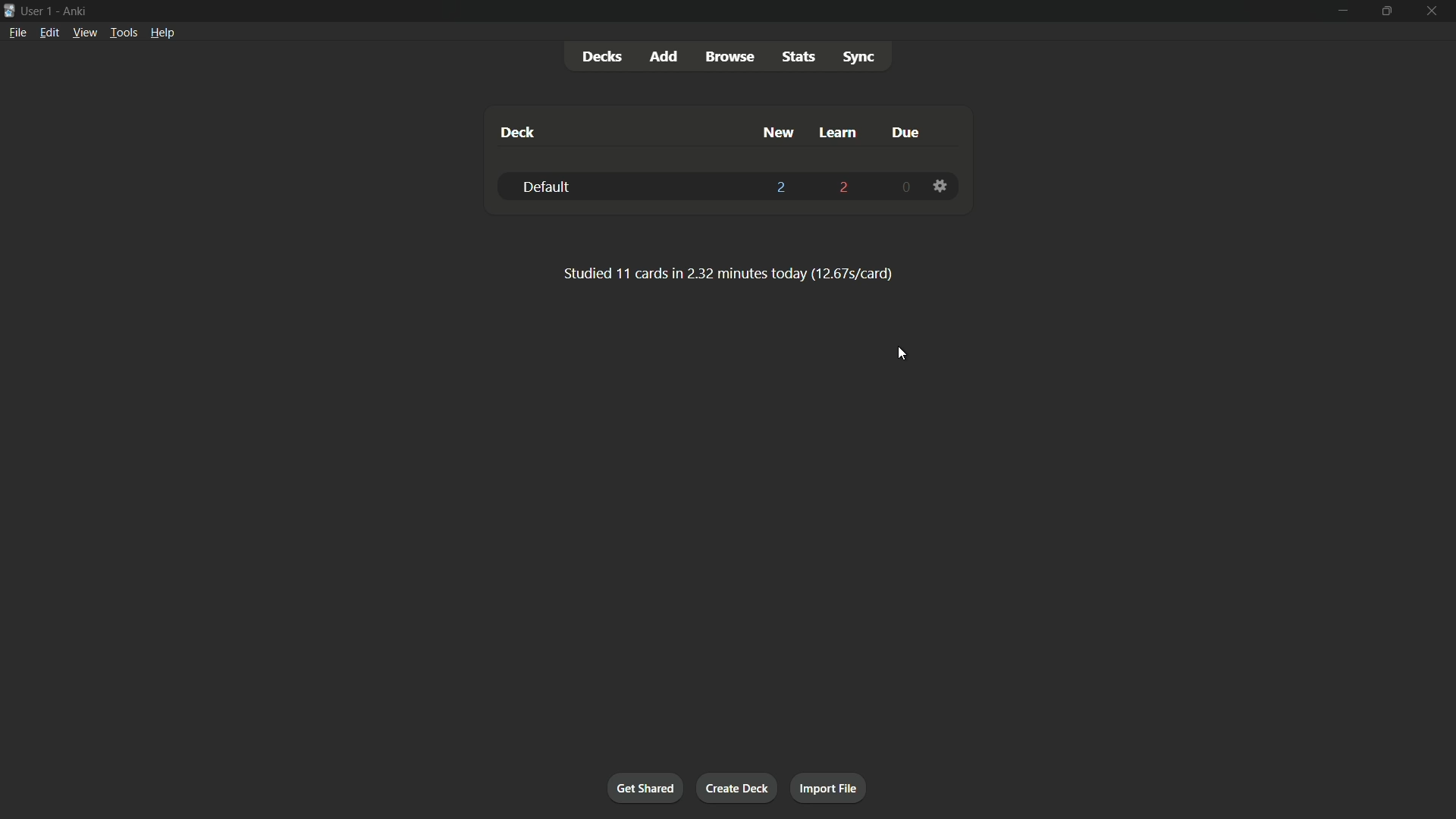 The height and width of the screenshot is (819, 1456). What do you see at coordinates (904, 188) in the screenshot?
I see `0` at bounding box center [904, 188].